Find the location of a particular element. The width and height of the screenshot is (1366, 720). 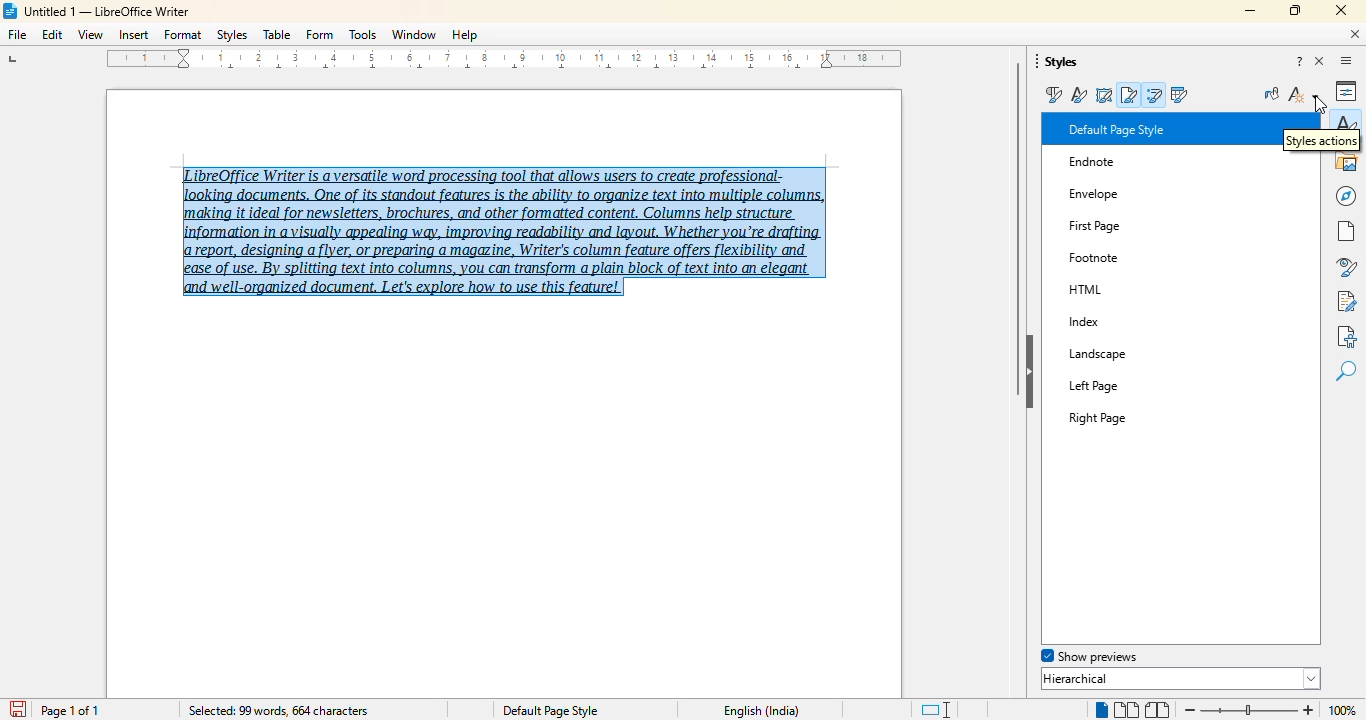

single page view is located at coordinates (1097, 710).